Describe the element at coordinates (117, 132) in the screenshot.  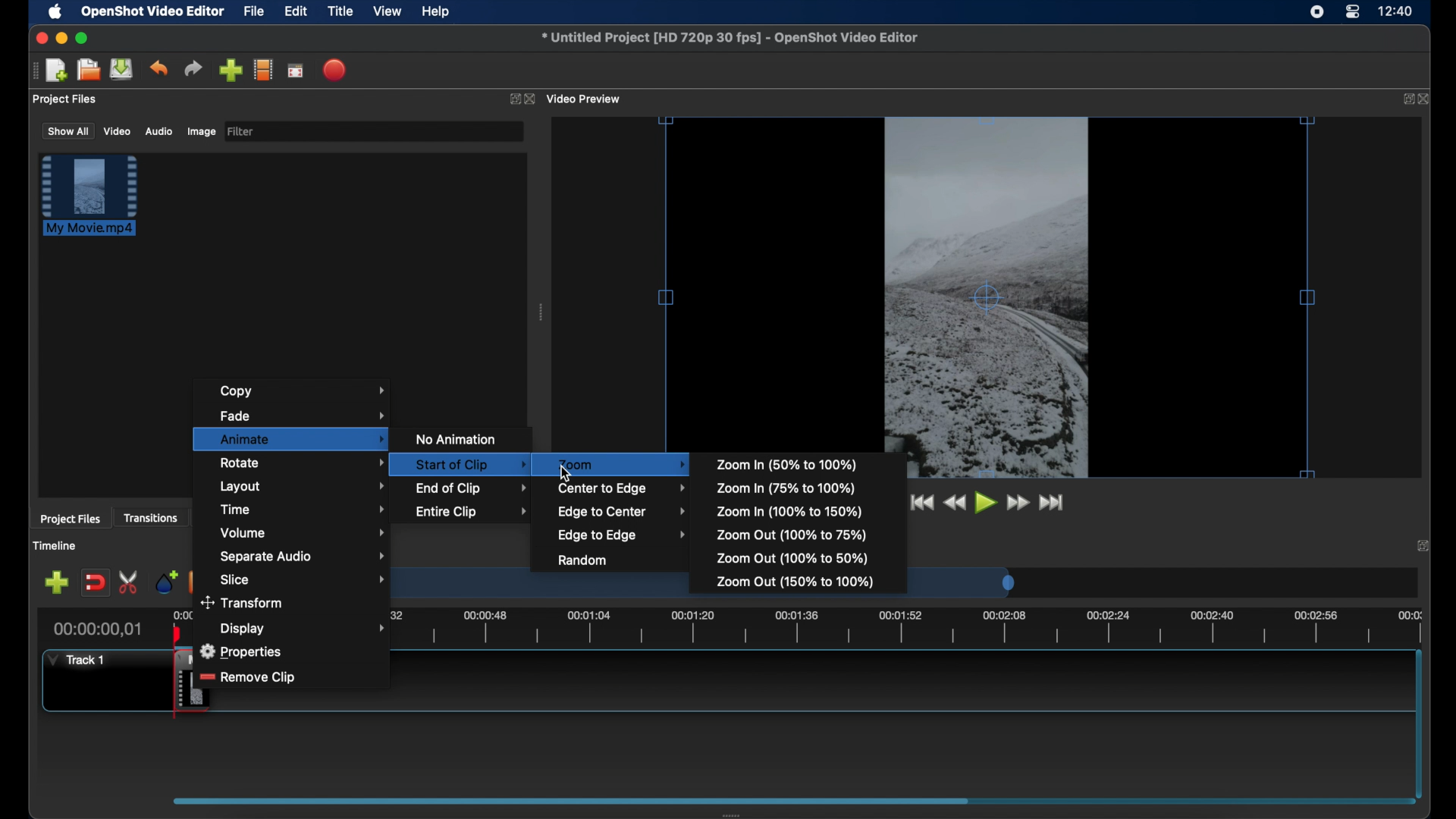
I see `video` at that location.